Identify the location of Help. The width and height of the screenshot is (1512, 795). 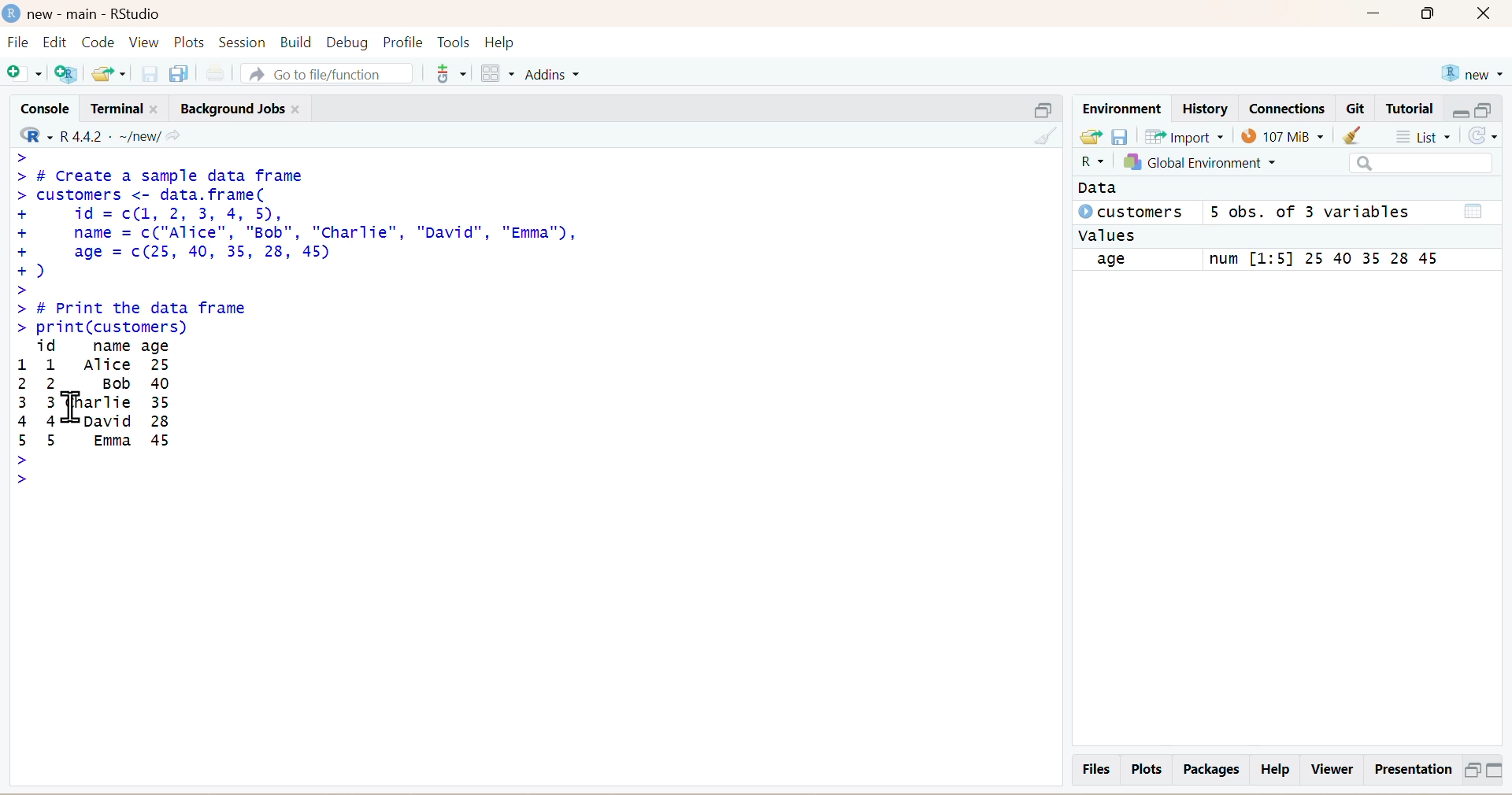
(513, 42).